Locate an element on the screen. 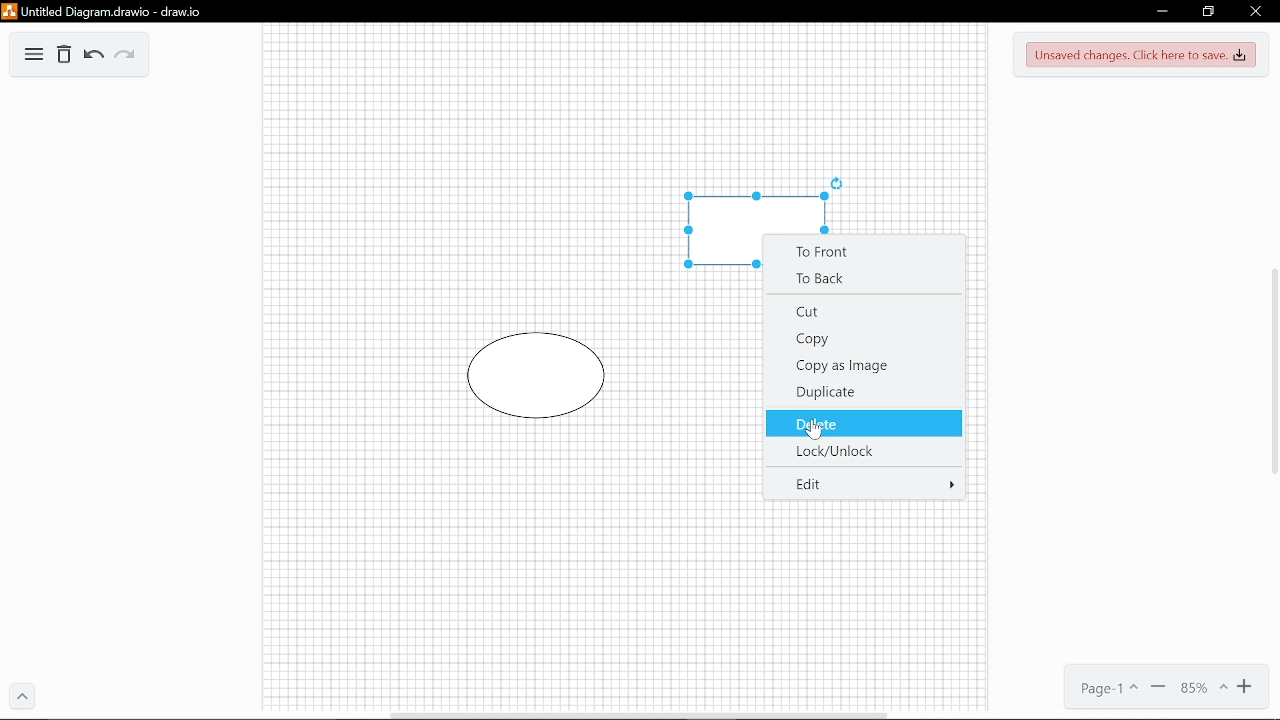 Image resolution: width=1280 pixels, height=720 pixels. Circle shape is located at coordinates (538, 376).